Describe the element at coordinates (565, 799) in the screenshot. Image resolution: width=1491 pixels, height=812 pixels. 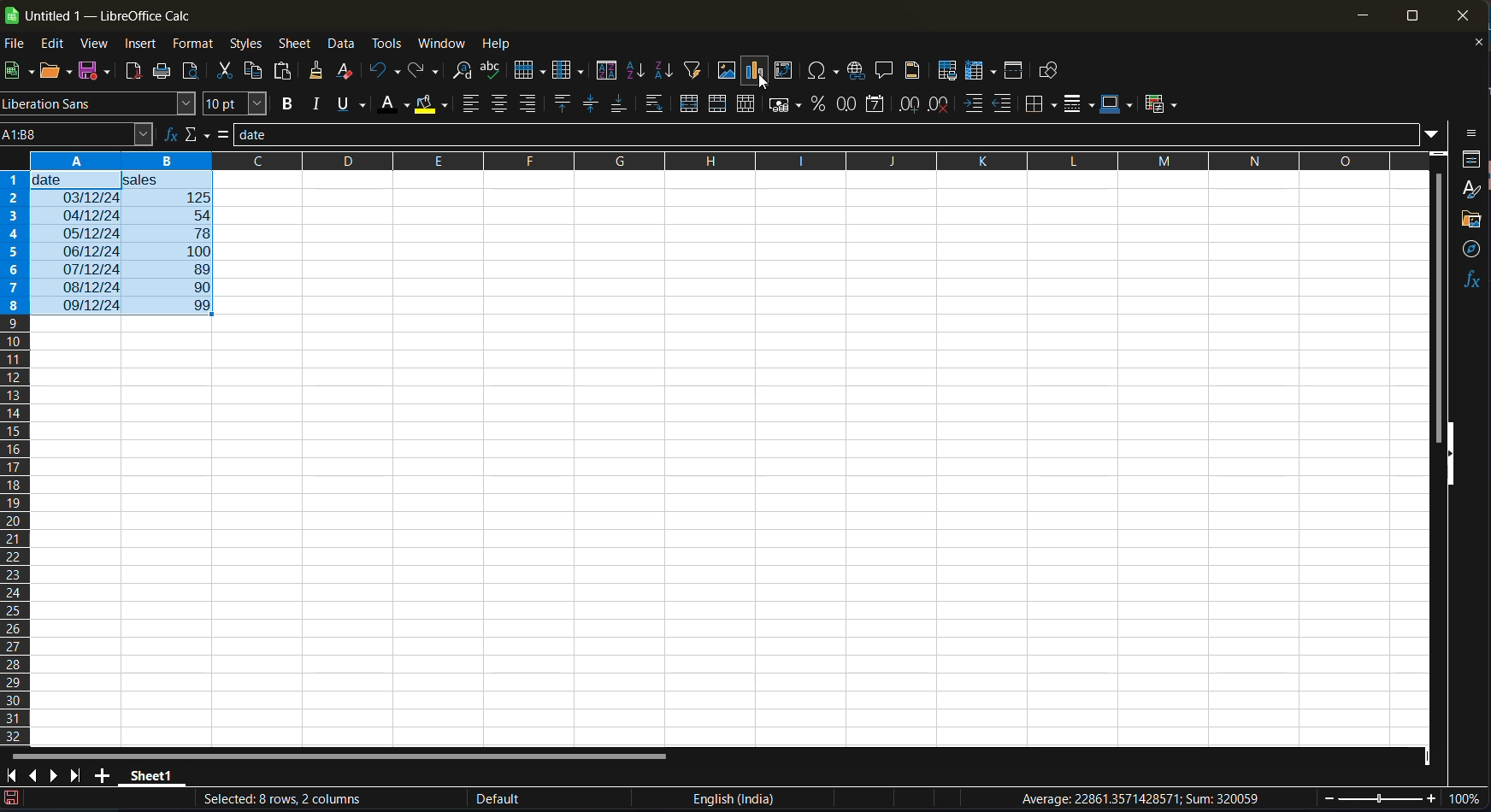
I see `Default` at that location.